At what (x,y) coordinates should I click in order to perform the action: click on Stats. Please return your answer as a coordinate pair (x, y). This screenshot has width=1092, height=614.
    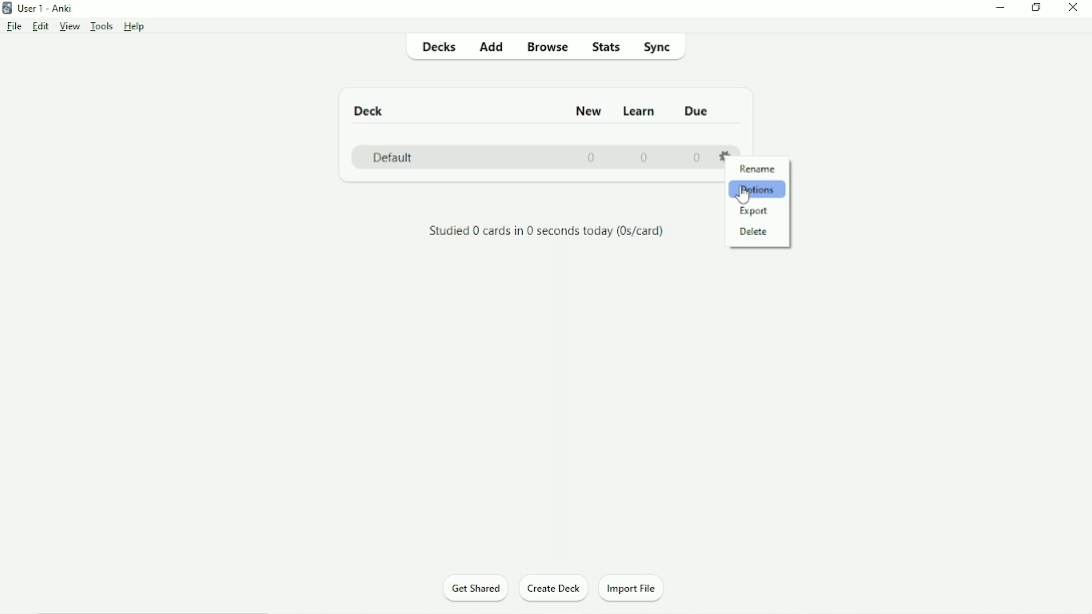
    Looking at the image, I should click on (607, 46).